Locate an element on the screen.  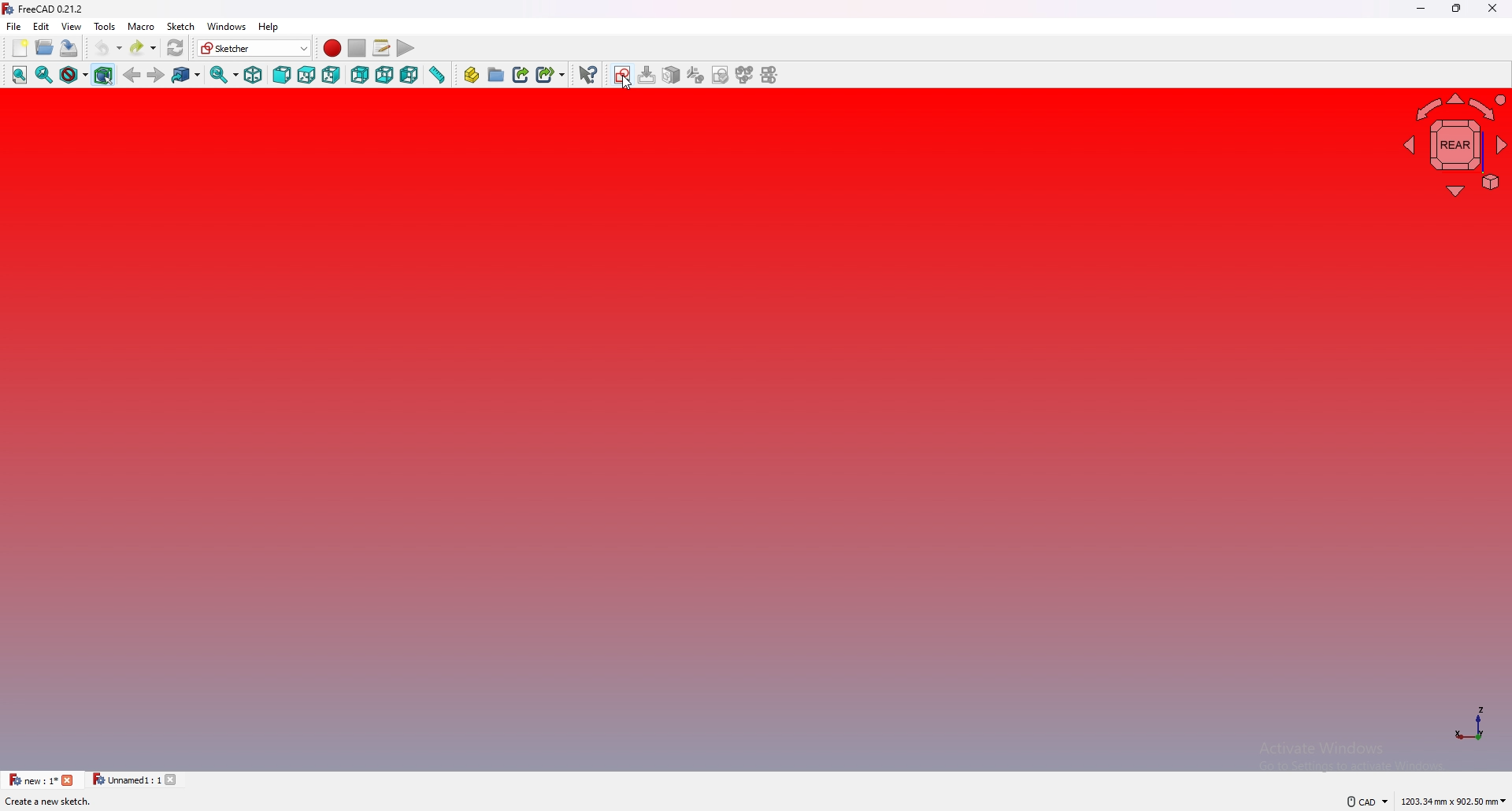
back is located at coordinates (133, 75).